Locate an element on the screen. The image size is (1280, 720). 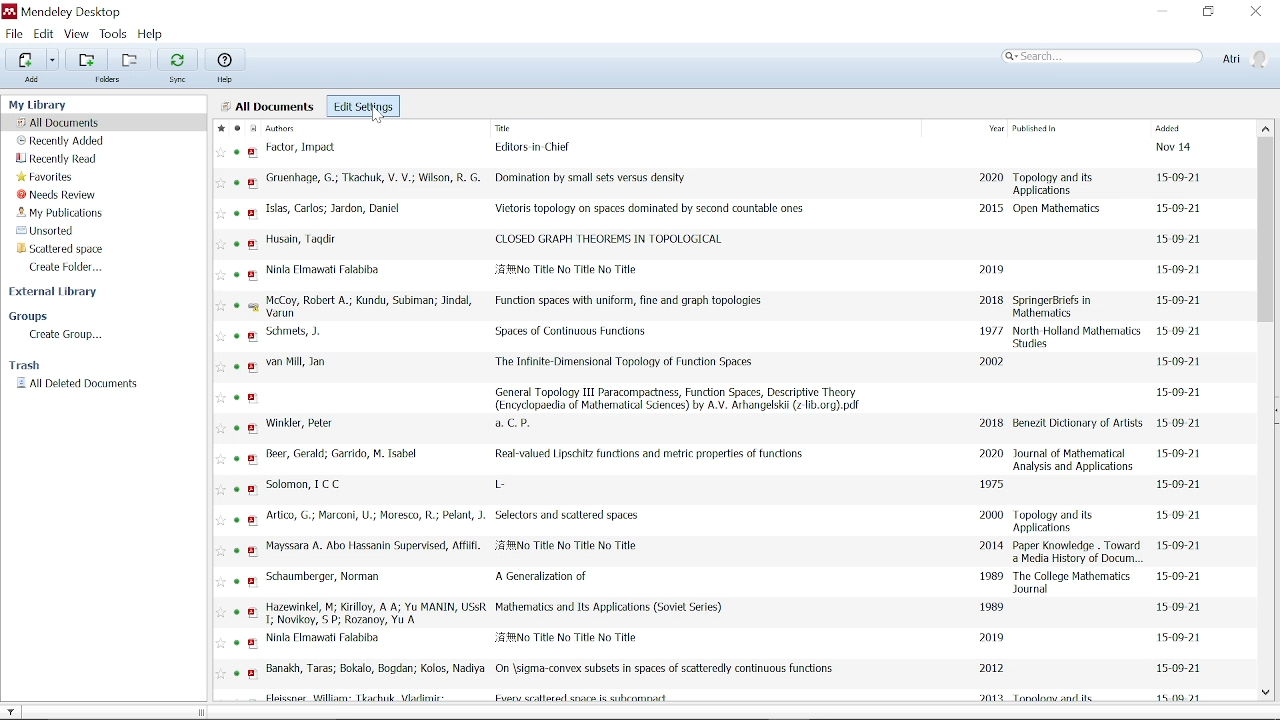
Edit settings is located at coordinates (363, 106).